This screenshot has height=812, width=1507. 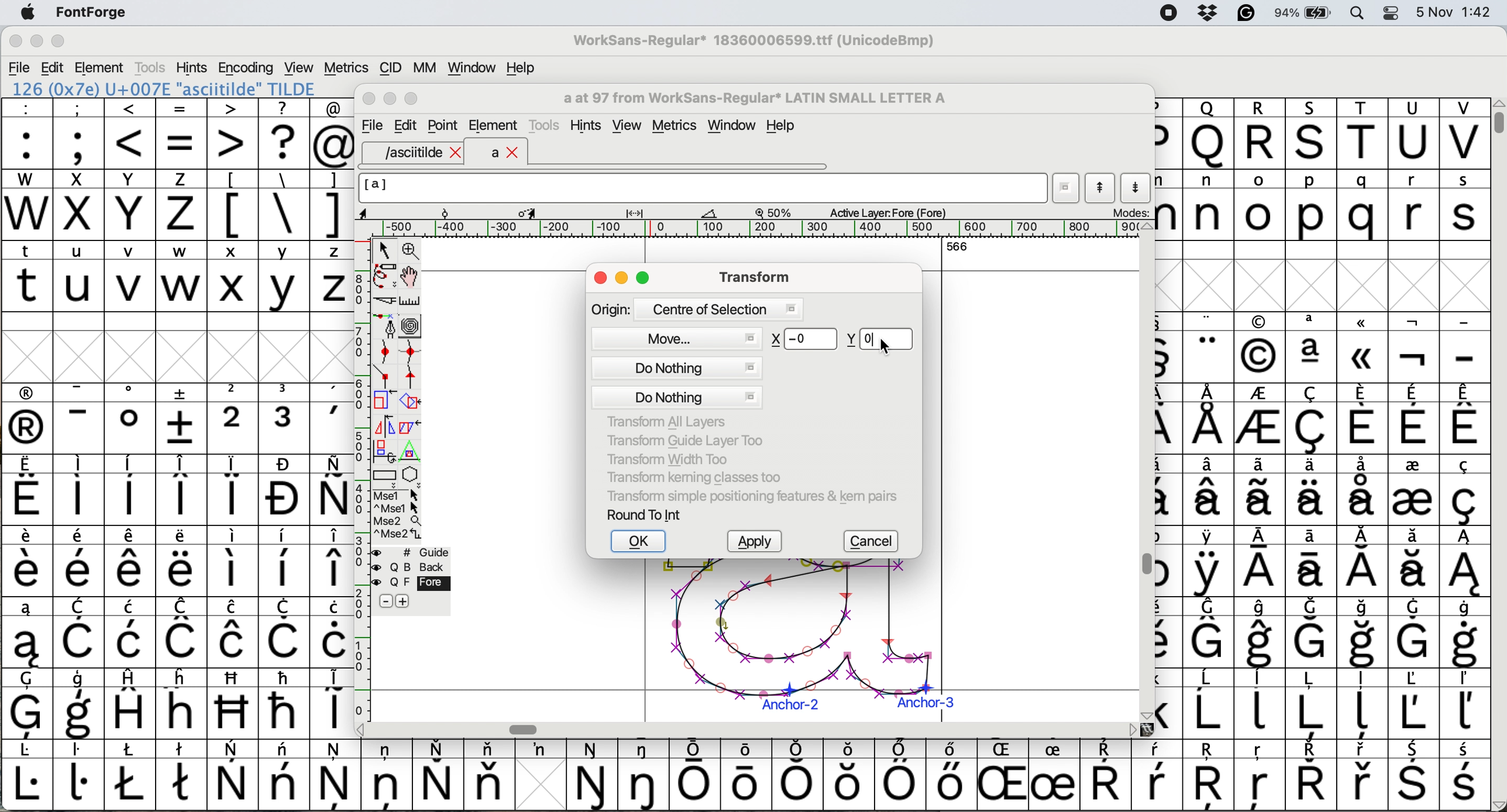 What do you see at coordinates (183, 490) in the screenshot?
I see `symbol` at bounding box center [183, 490].